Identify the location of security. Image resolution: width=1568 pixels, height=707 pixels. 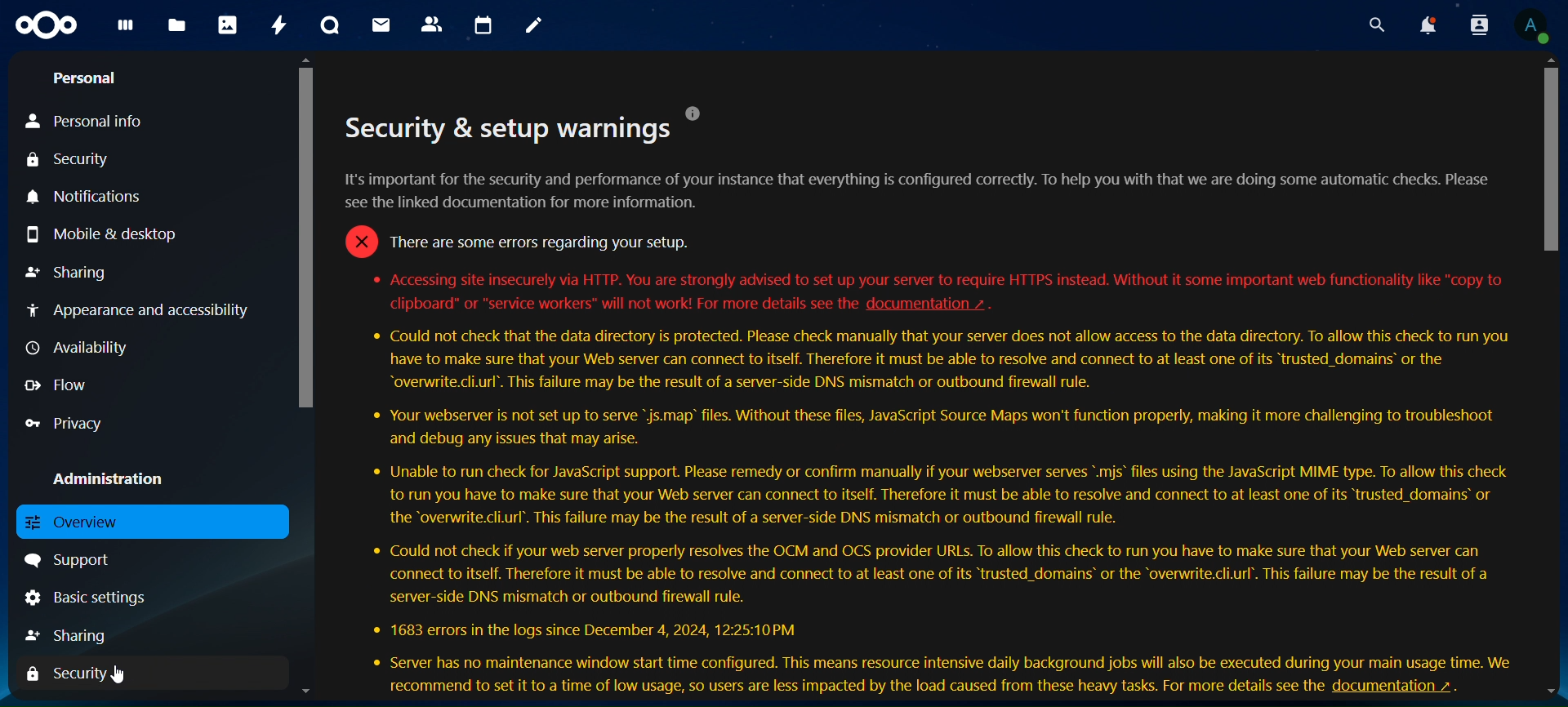
(70, 162).